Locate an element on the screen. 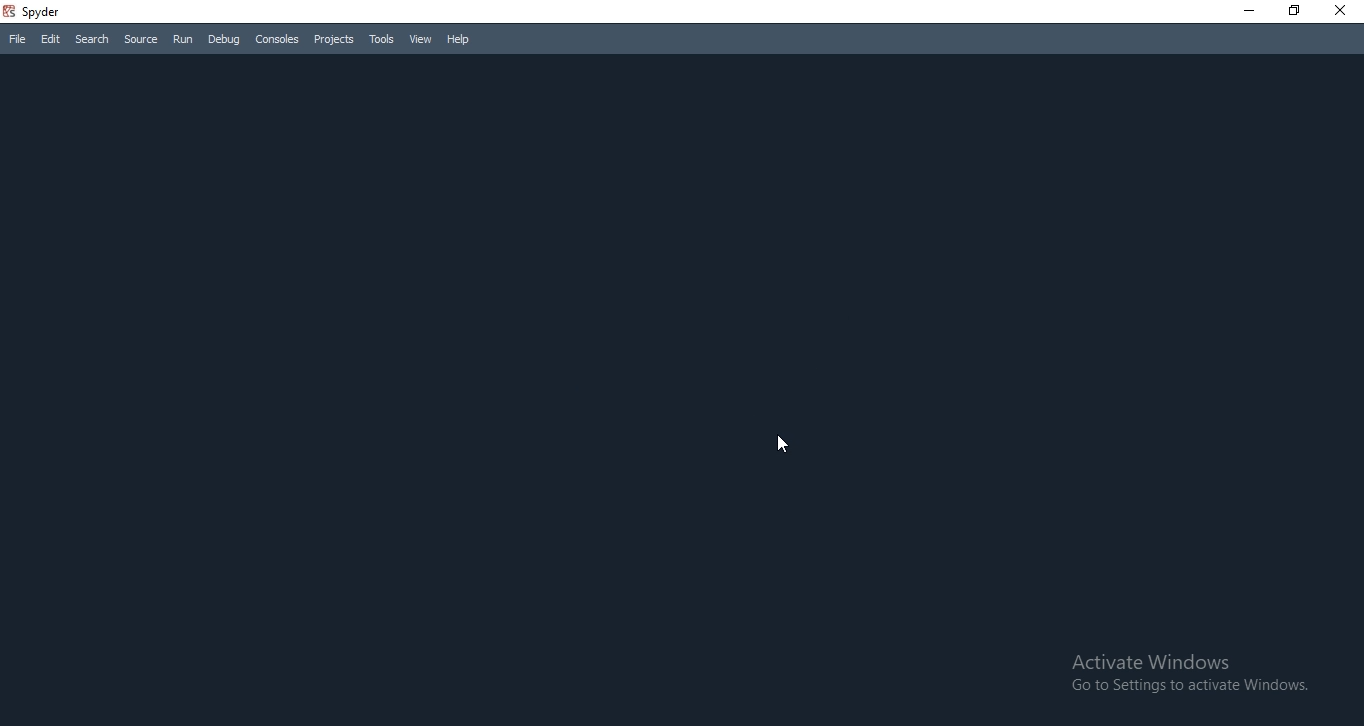 The height and width of the screenshot is (726, 1364). Debug is located at coordinates (225, 40).